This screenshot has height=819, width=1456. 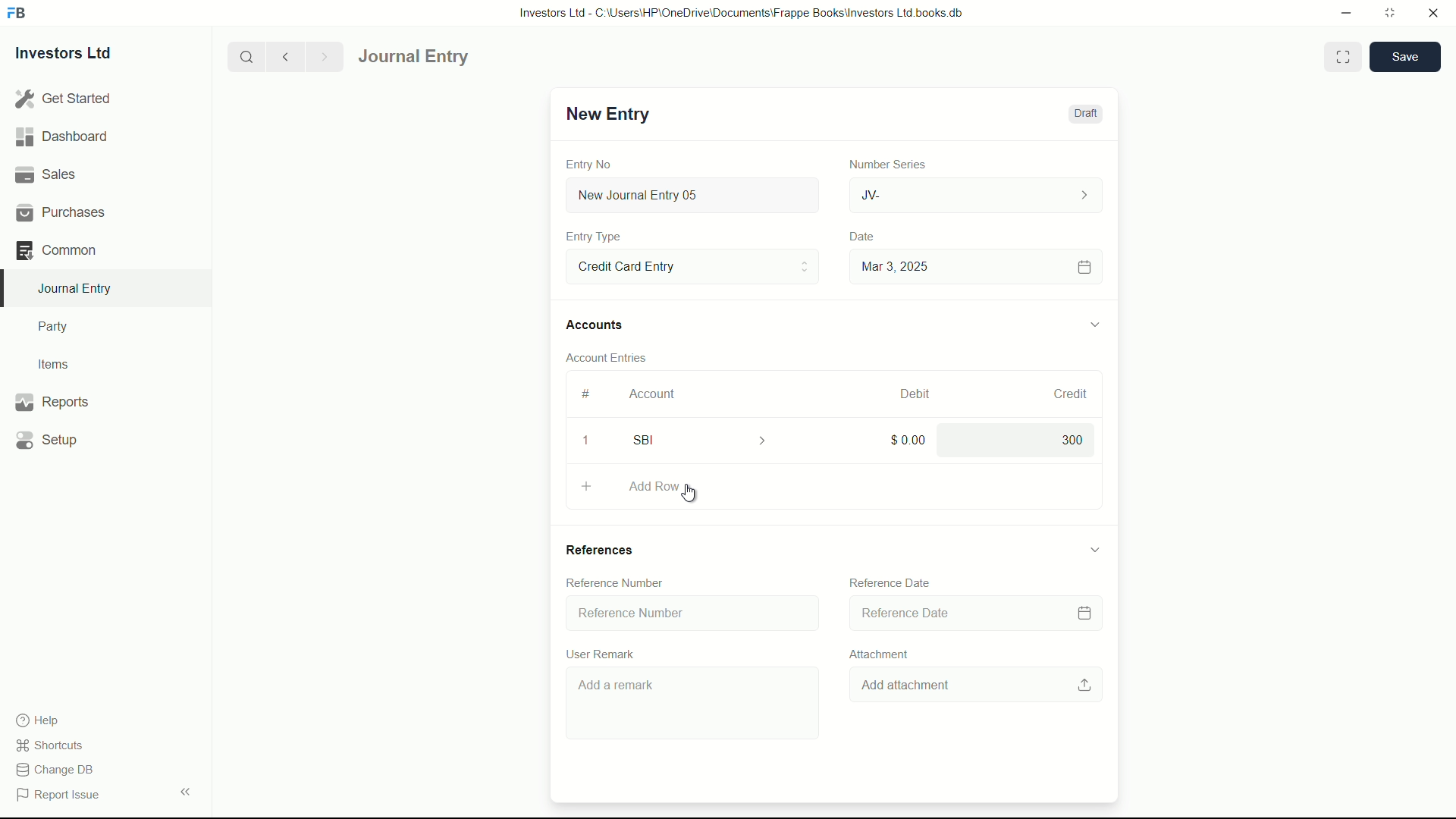 I want to click on Attachment, so click(x=875, y=653).